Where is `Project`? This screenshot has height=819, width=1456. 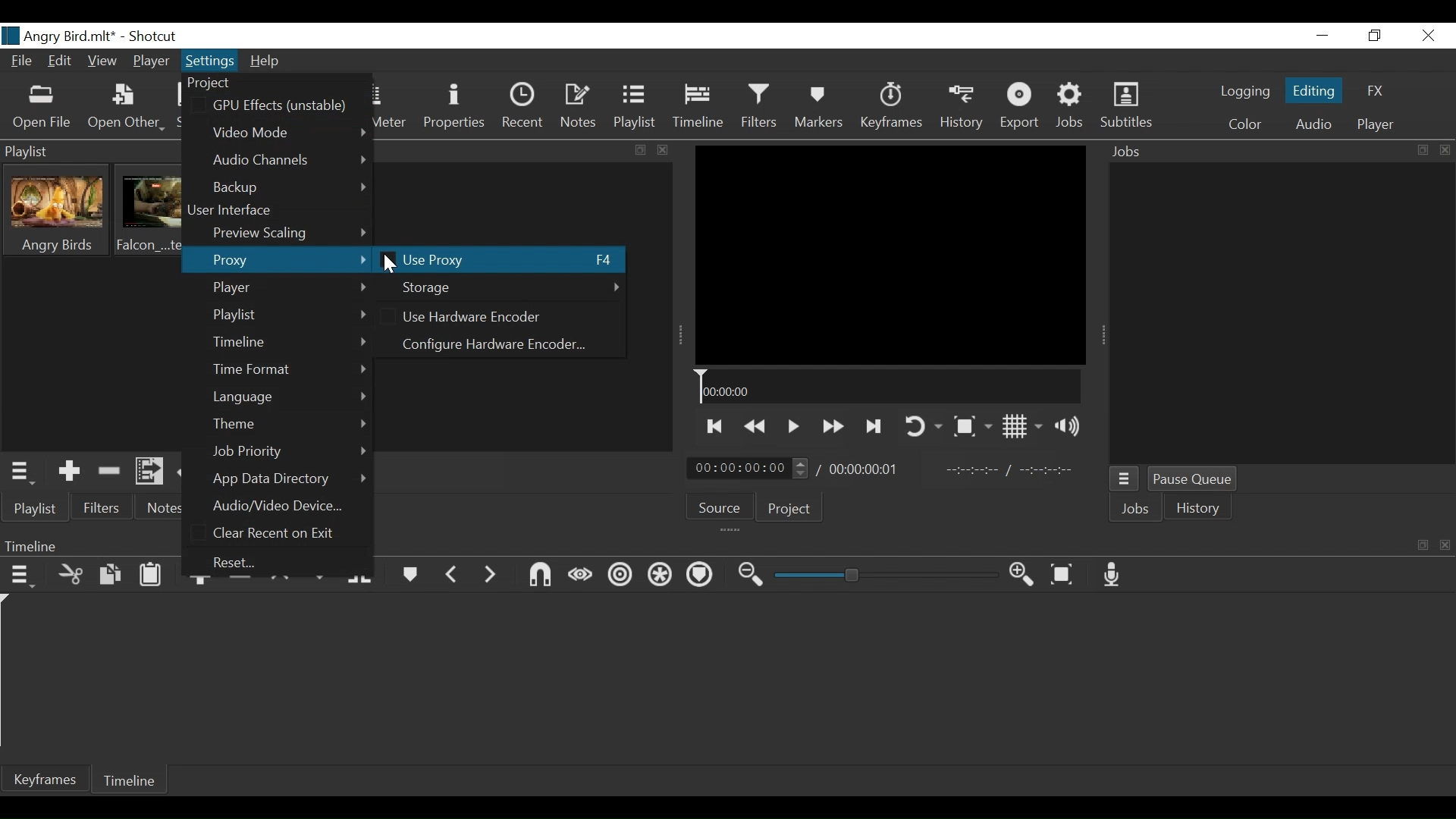
Project is located at coordinates (795, 509).